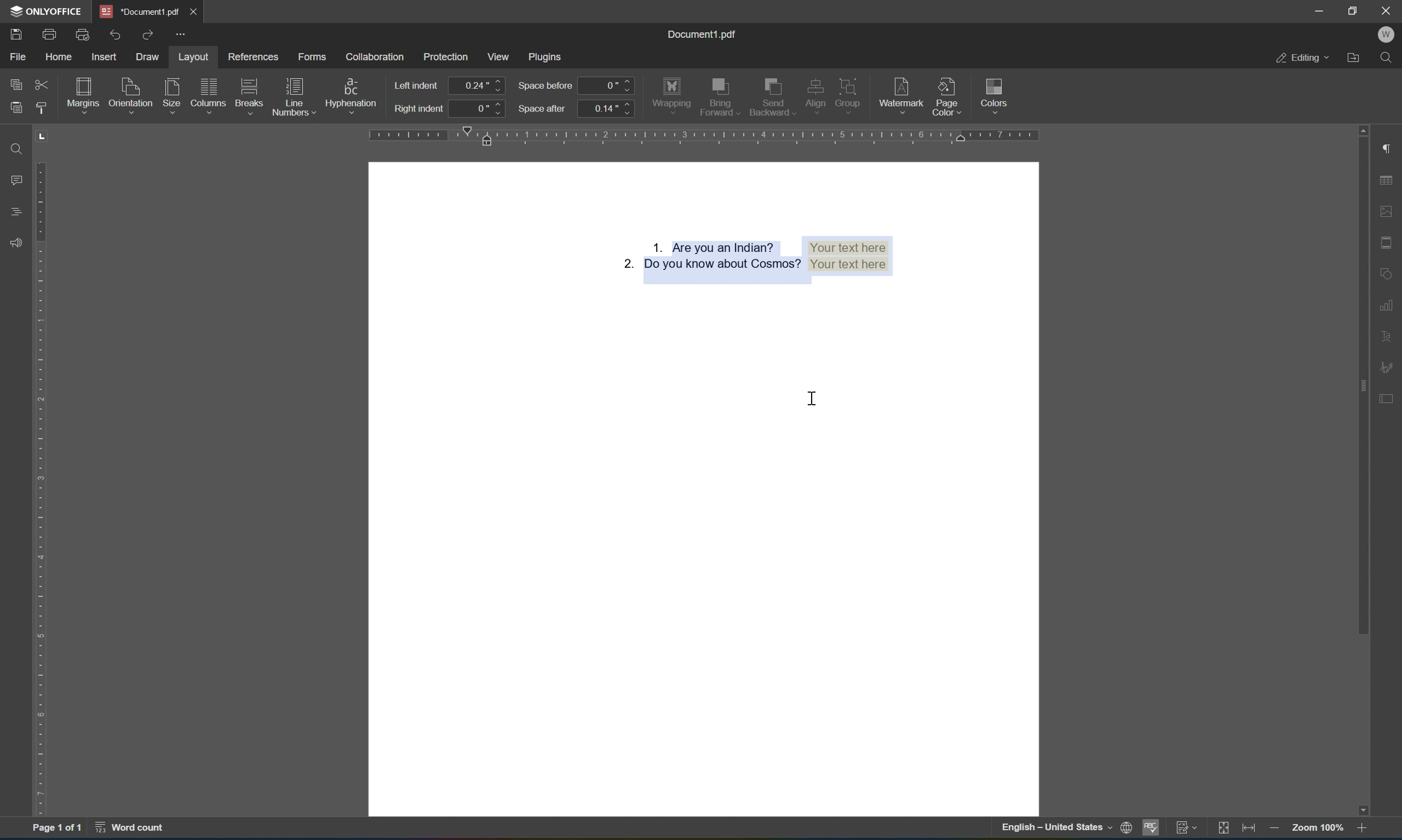 This screenshot has width=1402, height=840. I want to click on close, so click(1386, 11).